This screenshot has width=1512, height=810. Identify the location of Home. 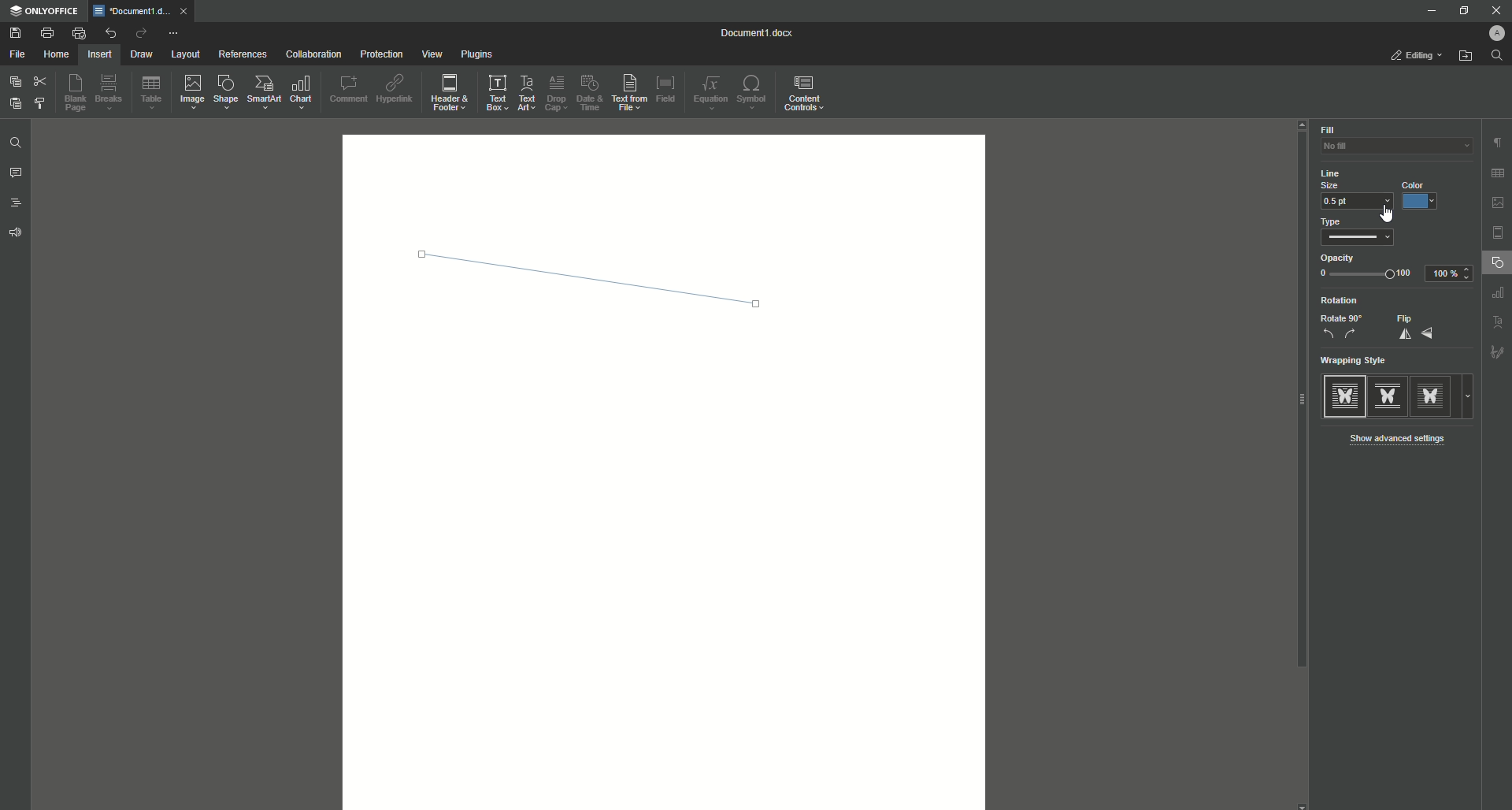
(56, 55).